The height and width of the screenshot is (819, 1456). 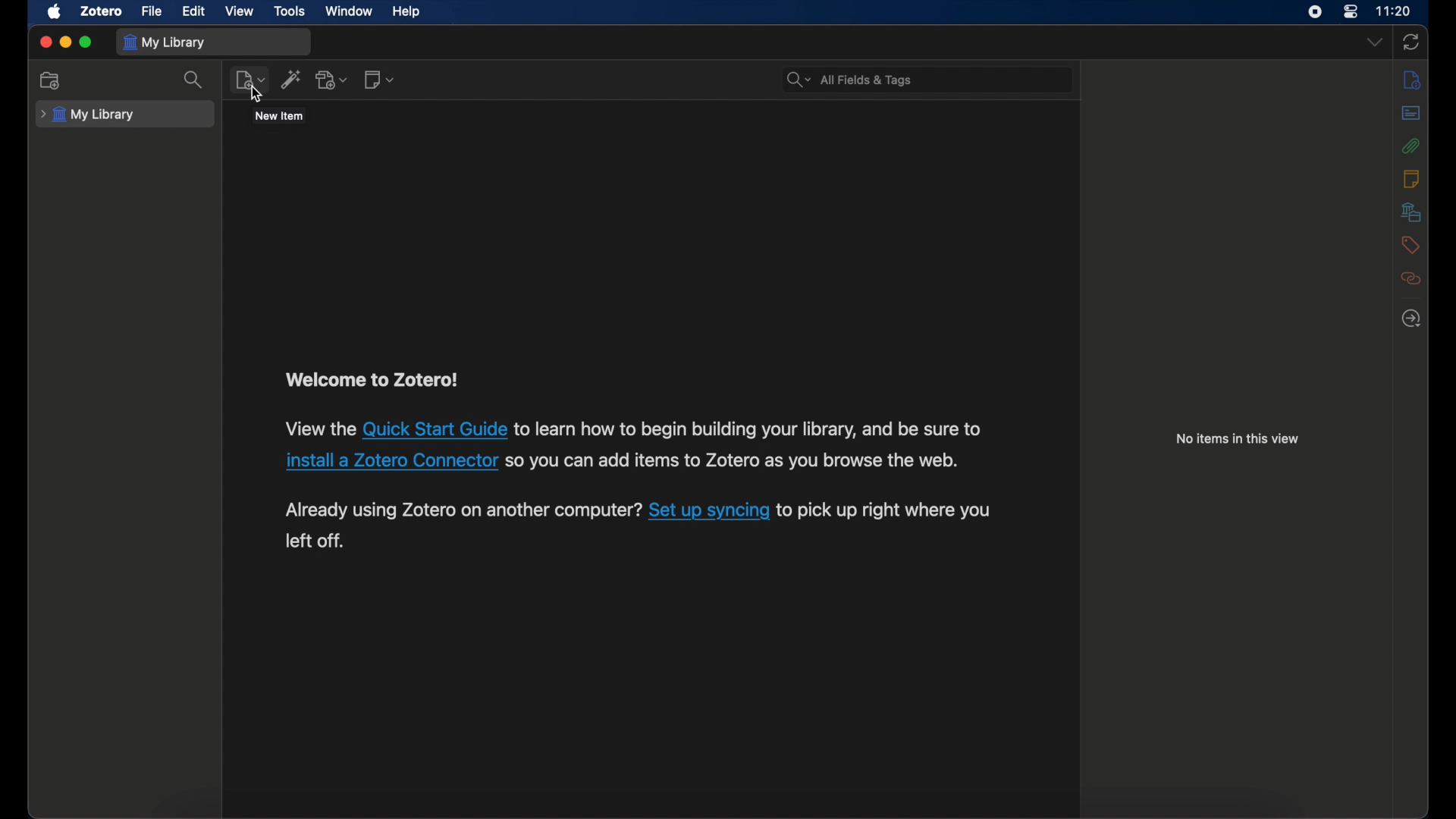 I want to click on minimize, so click(x=64, y=41).